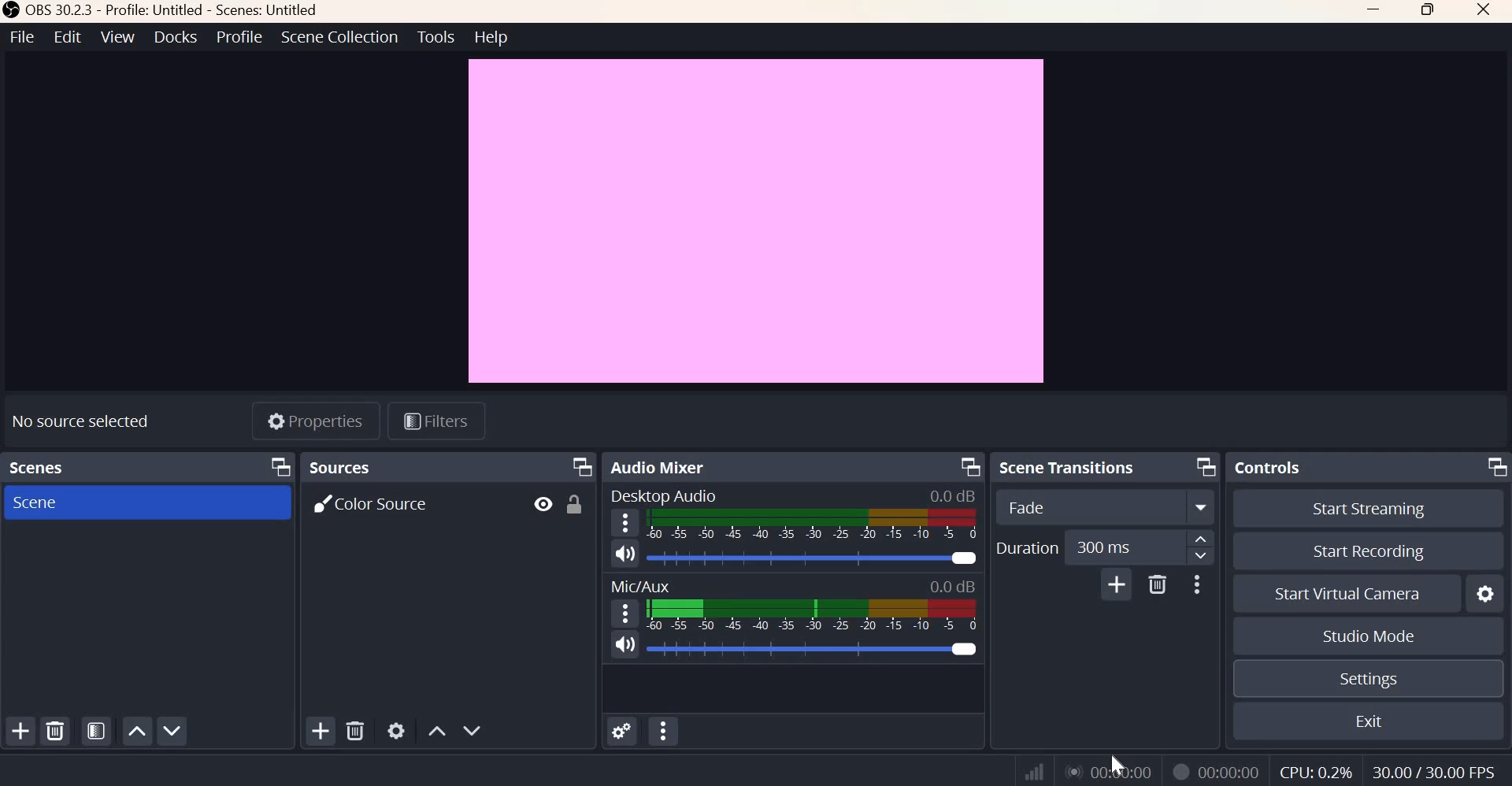 The image size is (1512, 786). I want to click on Sources, so click(345, 468).